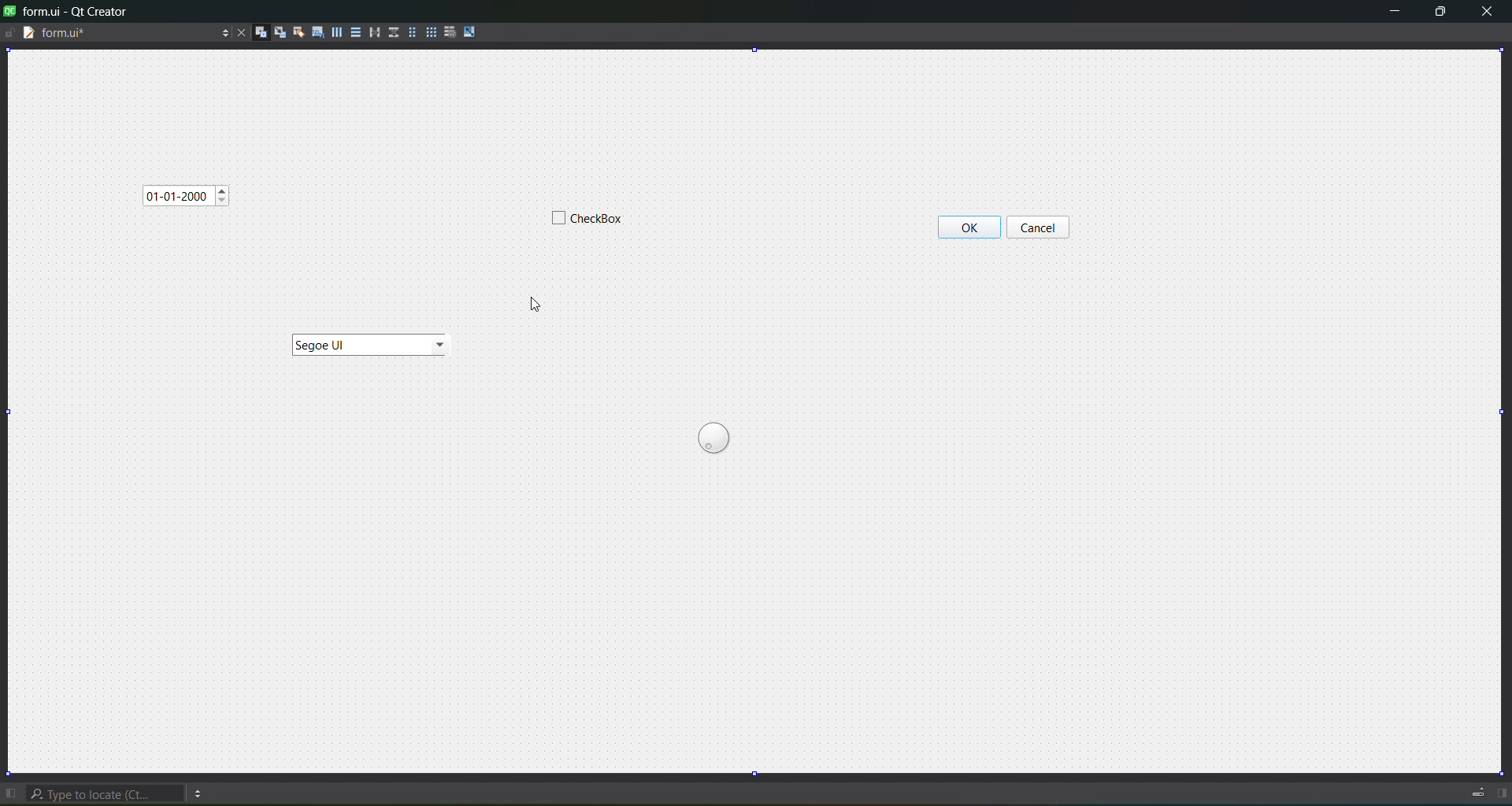 The image size is (1512, 806). I want to click on cursor, so click(538, 308).